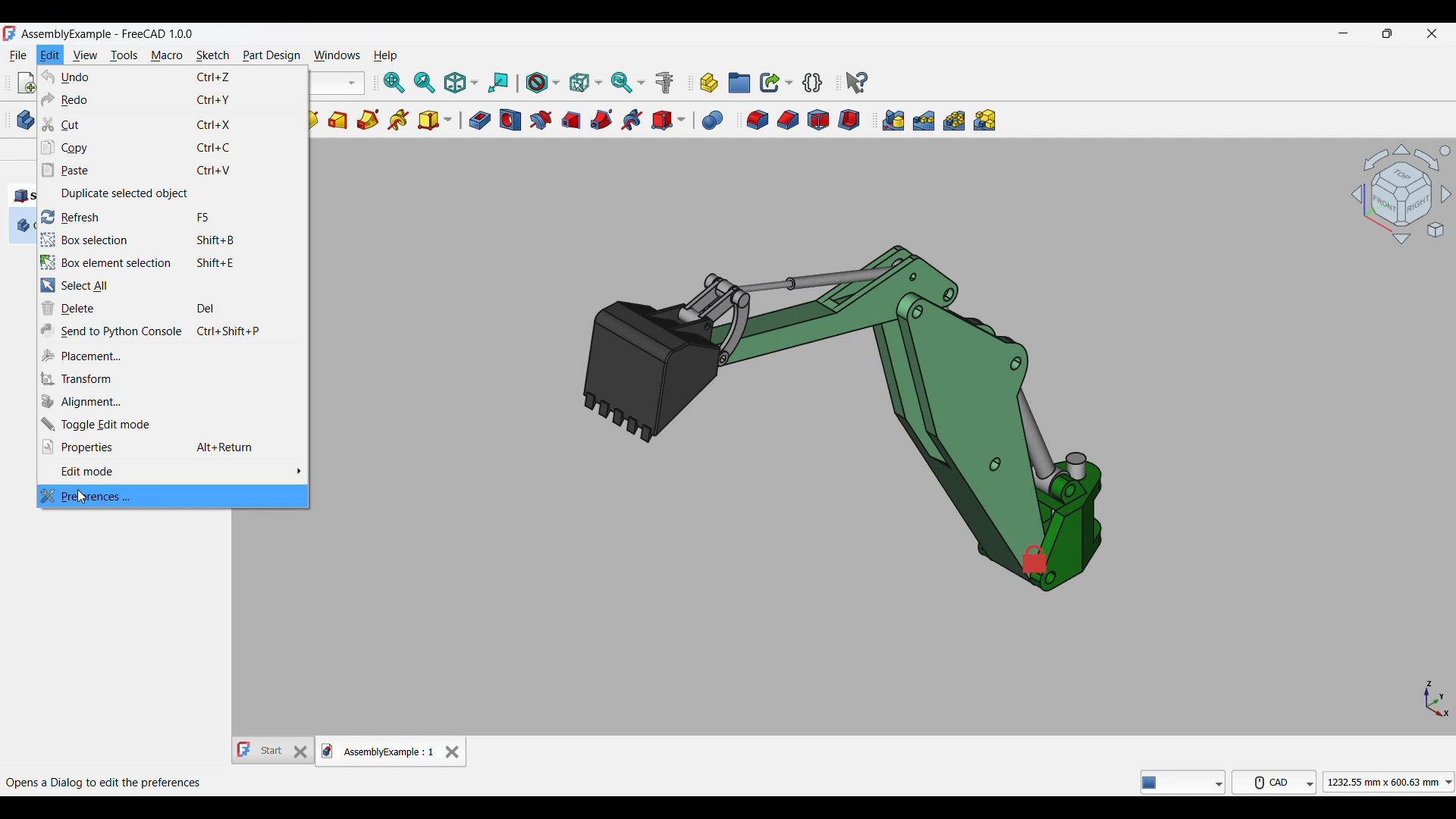 This screenshot has width=1456, height=819. Describe the element at coordinates (172, 402) in the screenshot. I see `Alignment` at that location.